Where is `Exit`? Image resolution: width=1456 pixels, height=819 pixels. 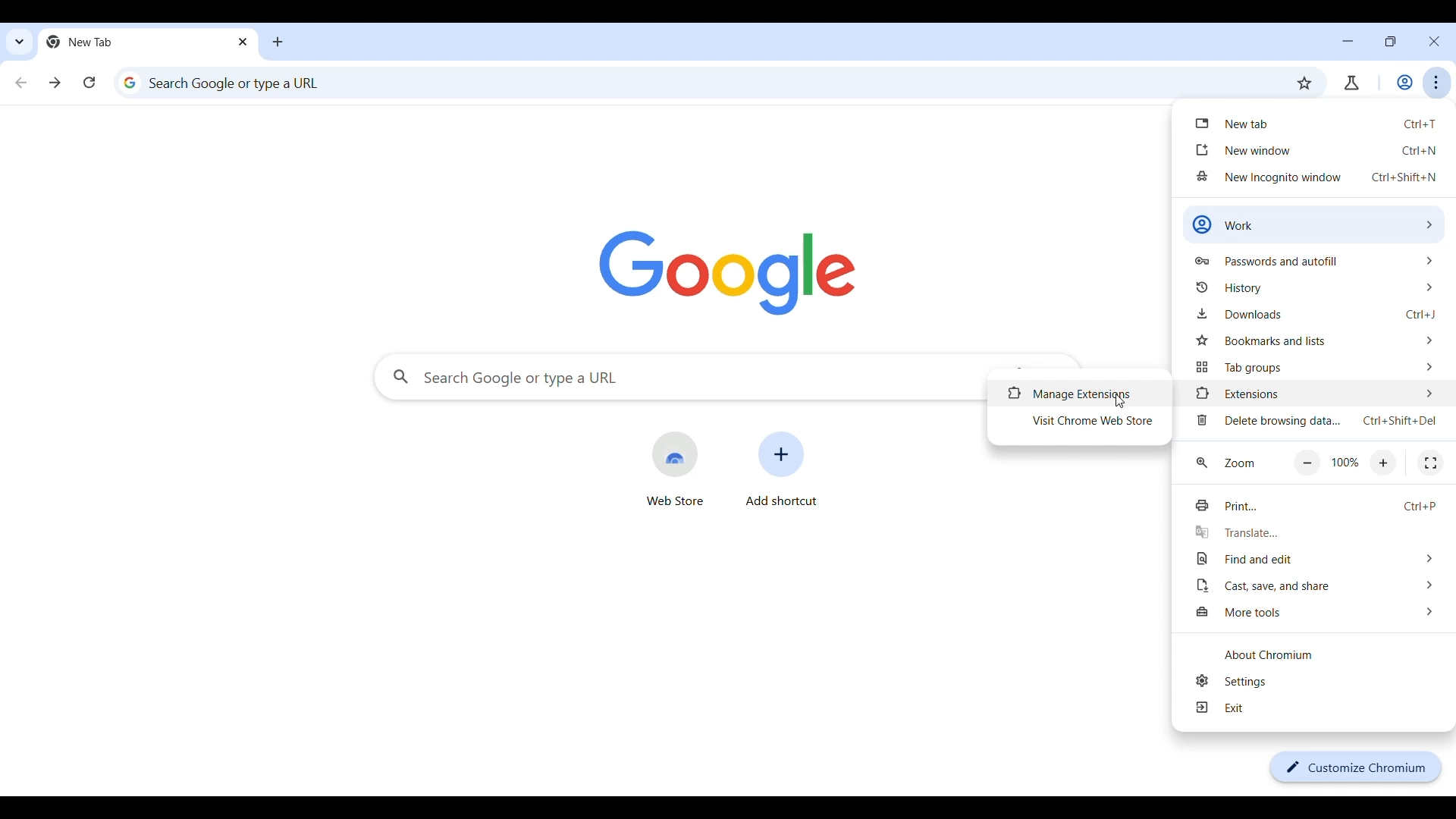 Exit is located at coordinates (1322, 708).